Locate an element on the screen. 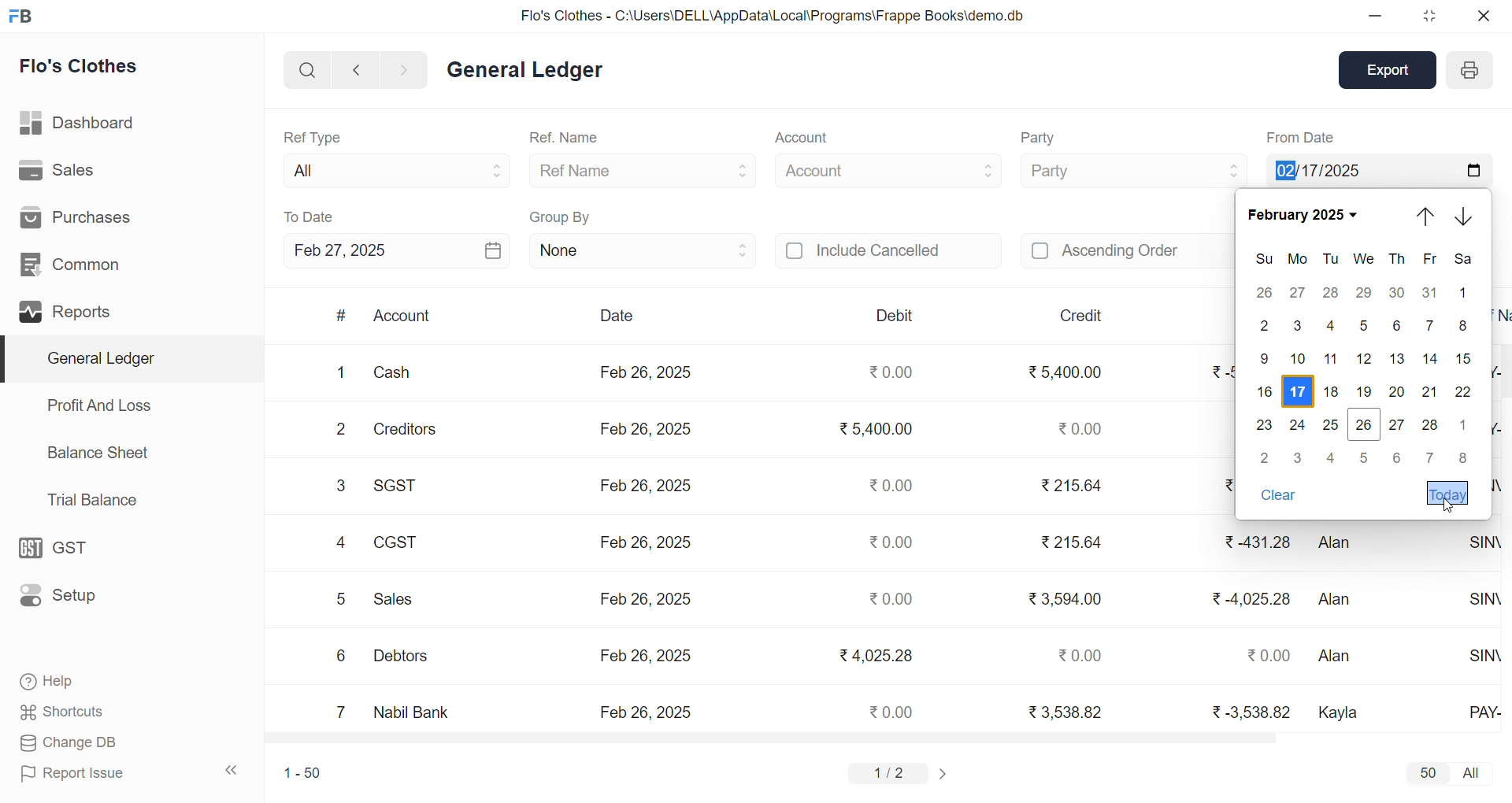 The image size is (1512, 803). Feb 17, 2025 is located at coordinates (1378, 168).